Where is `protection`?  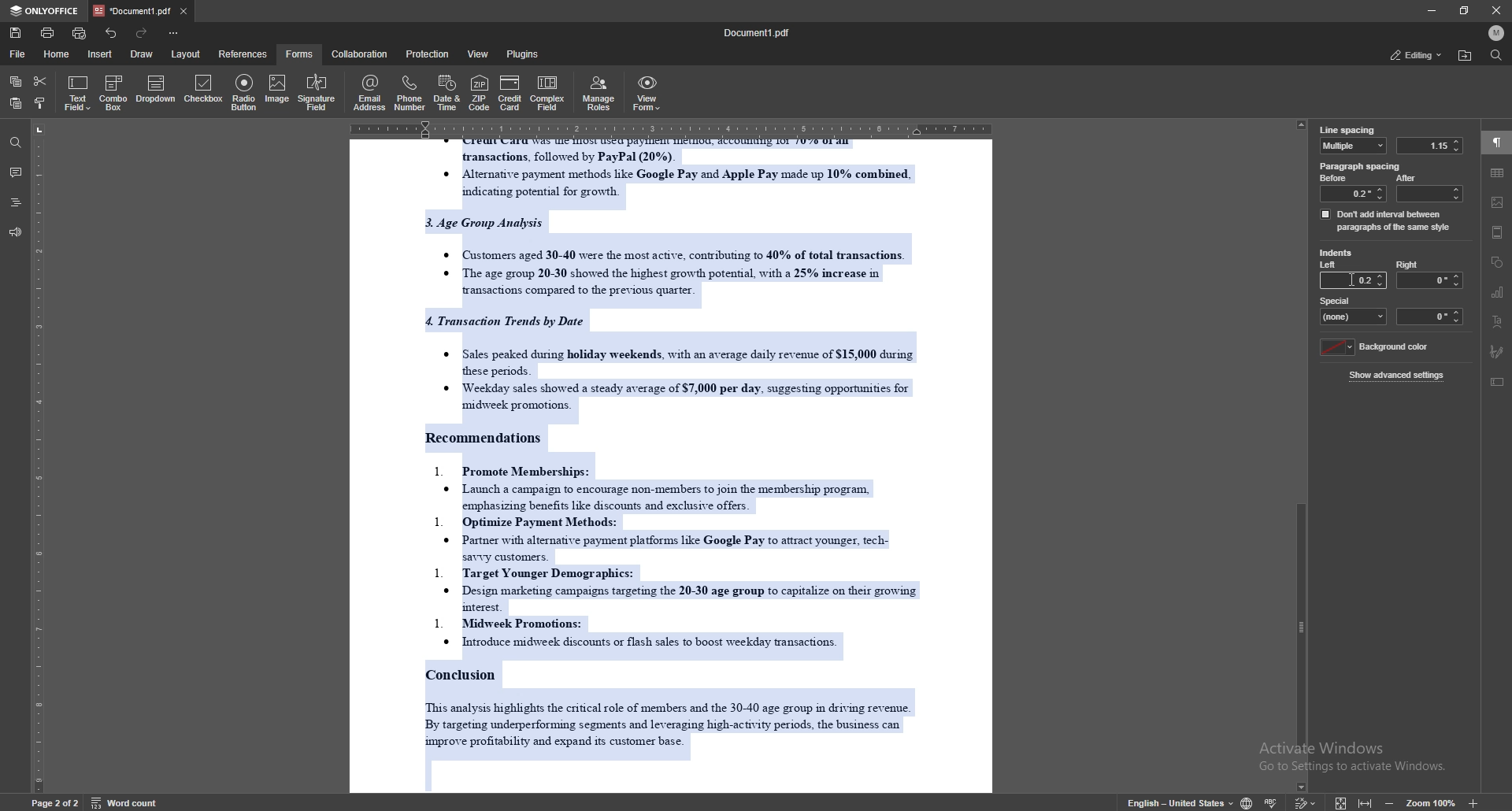
protection is located at coordinates (429, 54).